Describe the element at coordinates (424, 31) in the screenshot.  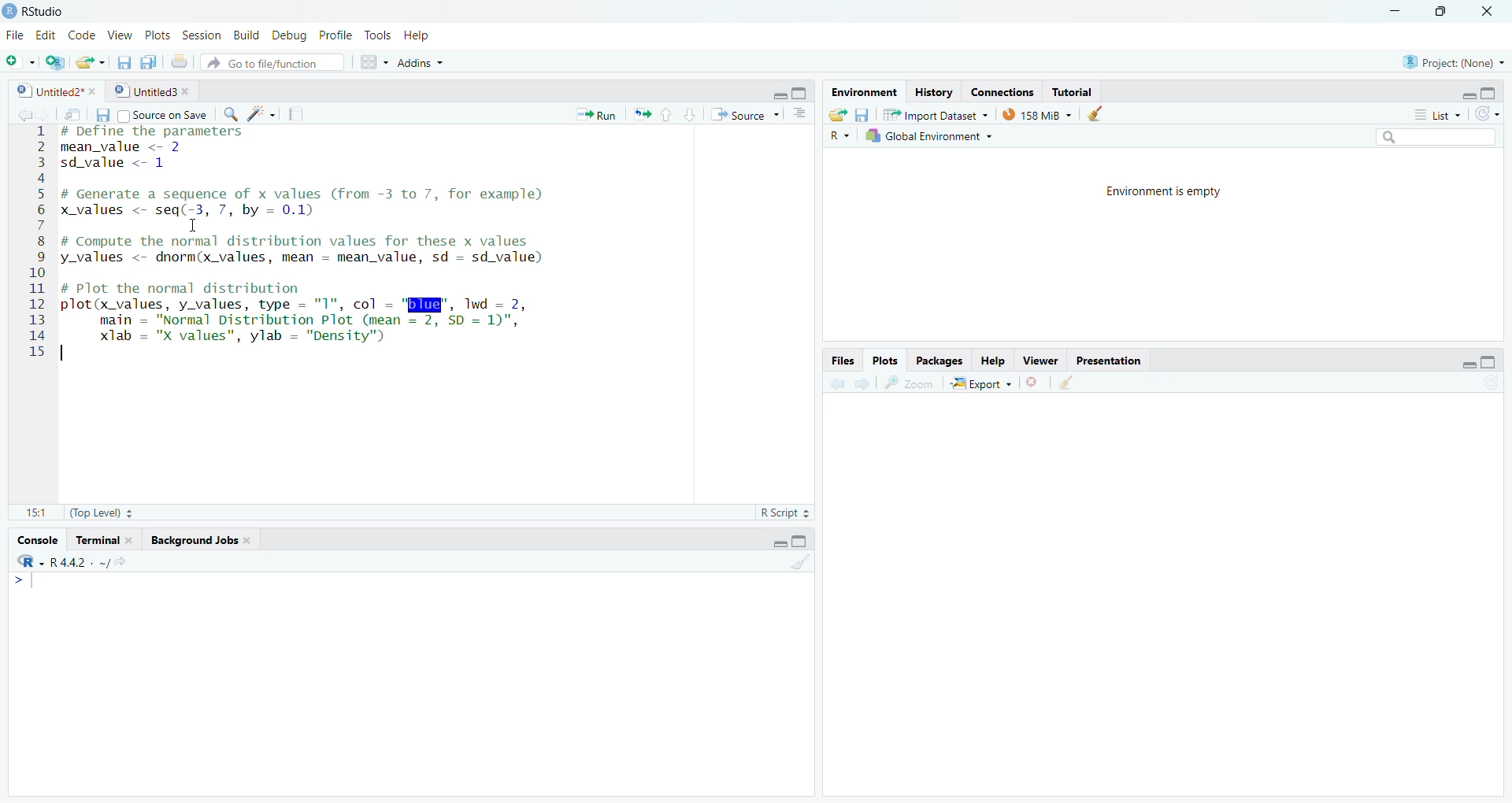
I see `Is Help` at that location.